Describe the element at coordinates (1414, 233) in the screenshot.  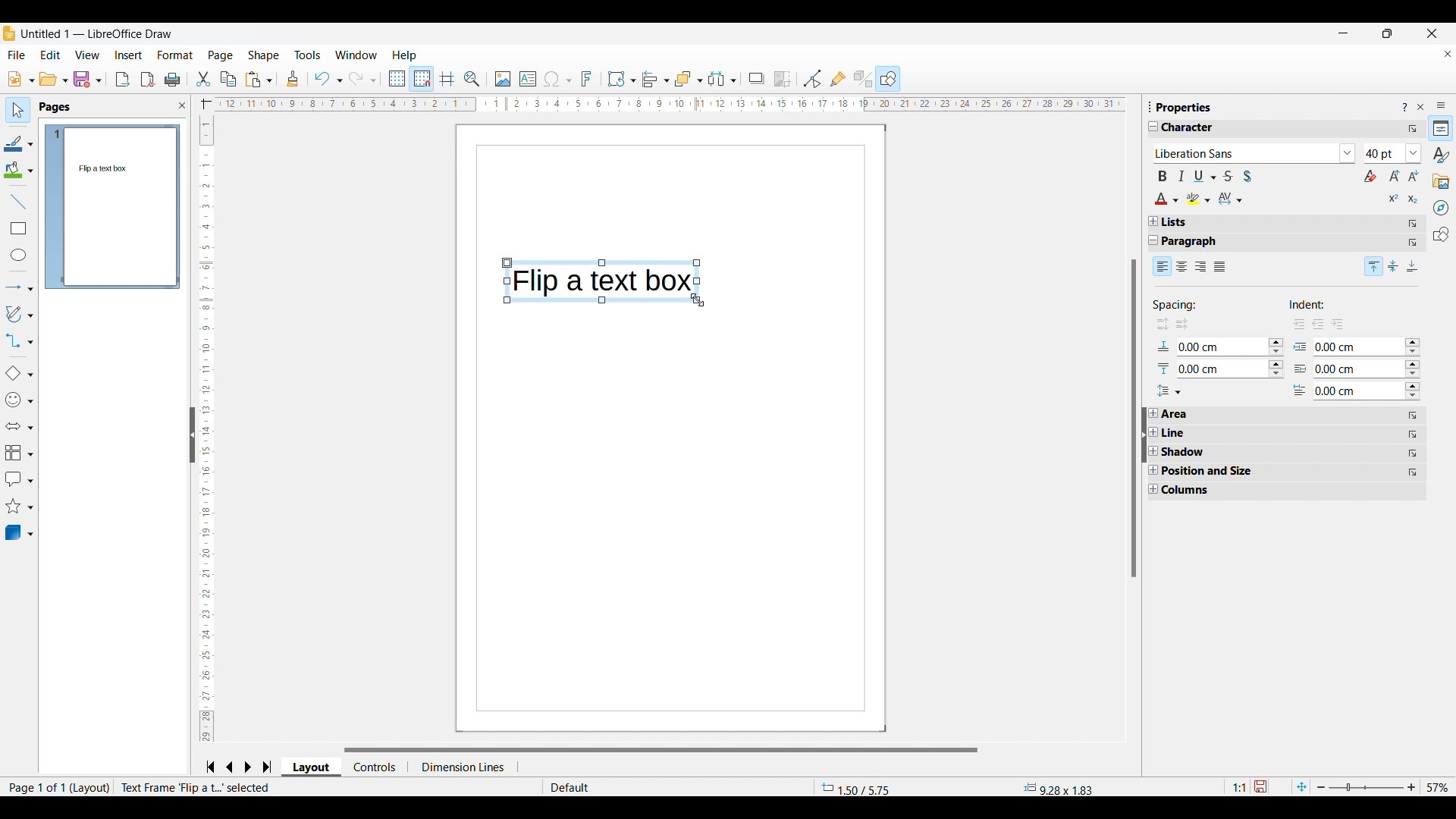
I see `More options for respective sub-title` at that location.